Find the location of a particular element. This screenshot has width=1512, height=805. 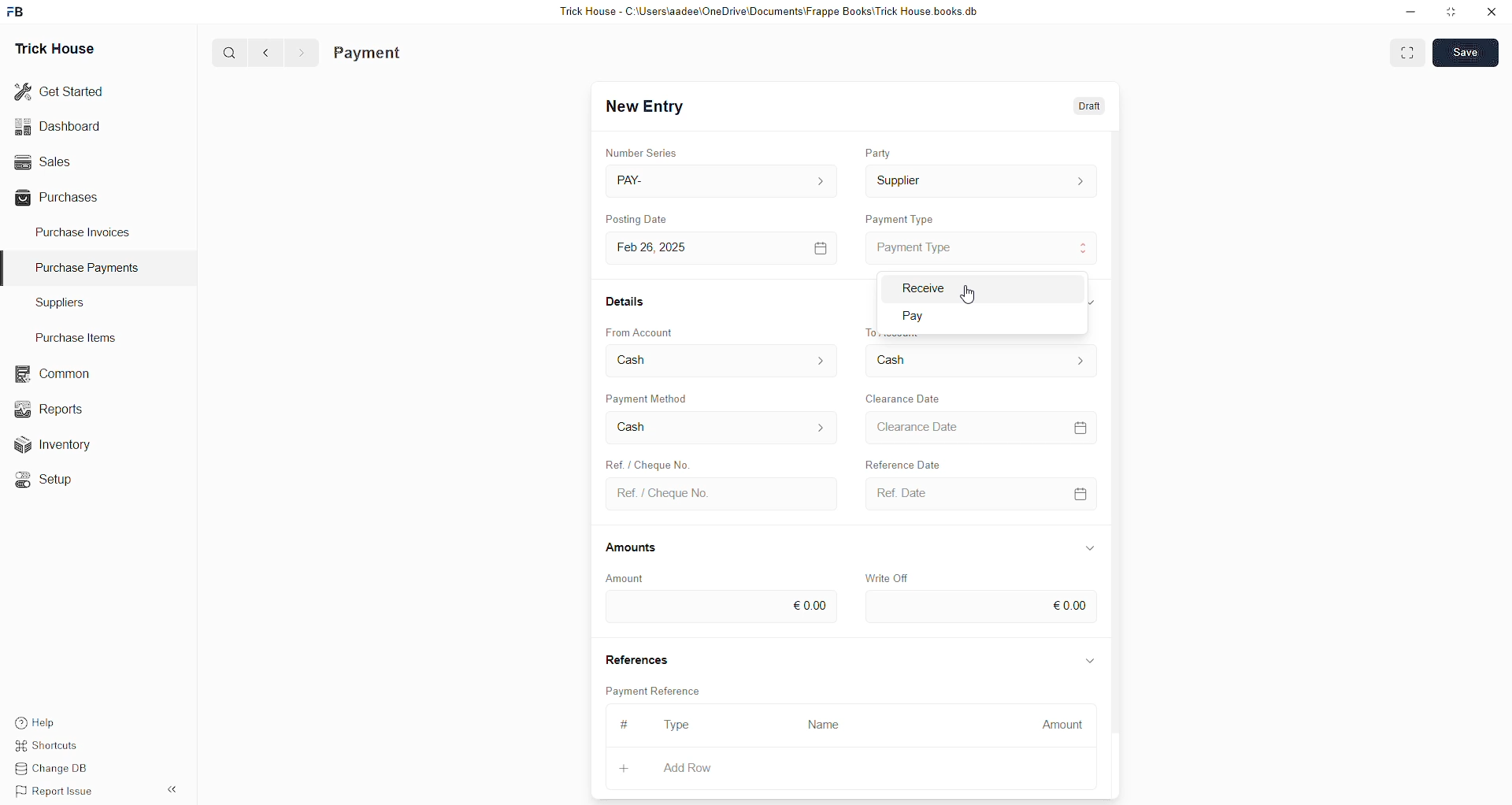

toggle between form and full width is located at coordinates (1409, 54).